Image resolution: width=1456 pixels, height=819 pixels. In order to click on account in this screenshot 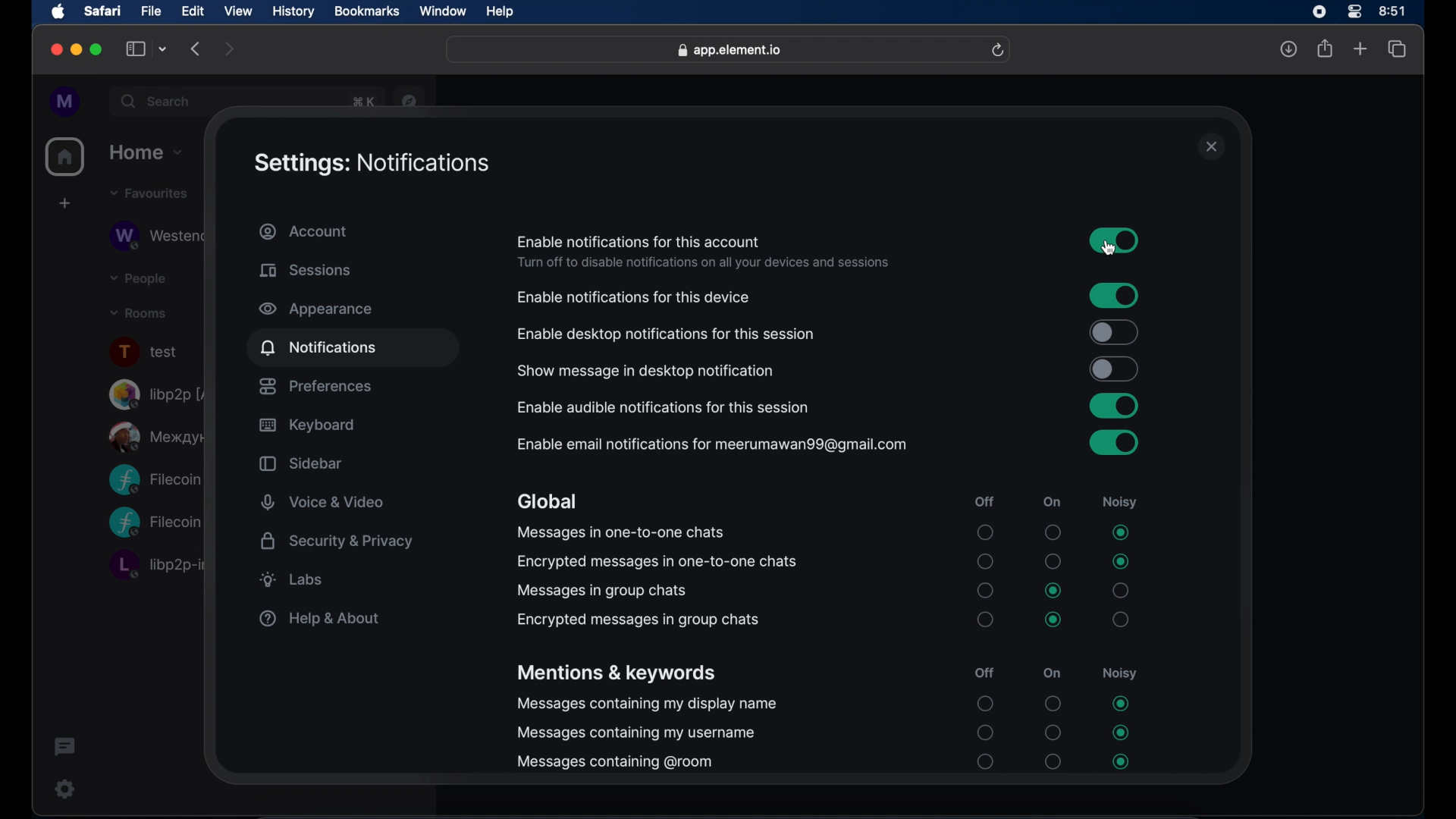, I will do `click(307, 231)`.